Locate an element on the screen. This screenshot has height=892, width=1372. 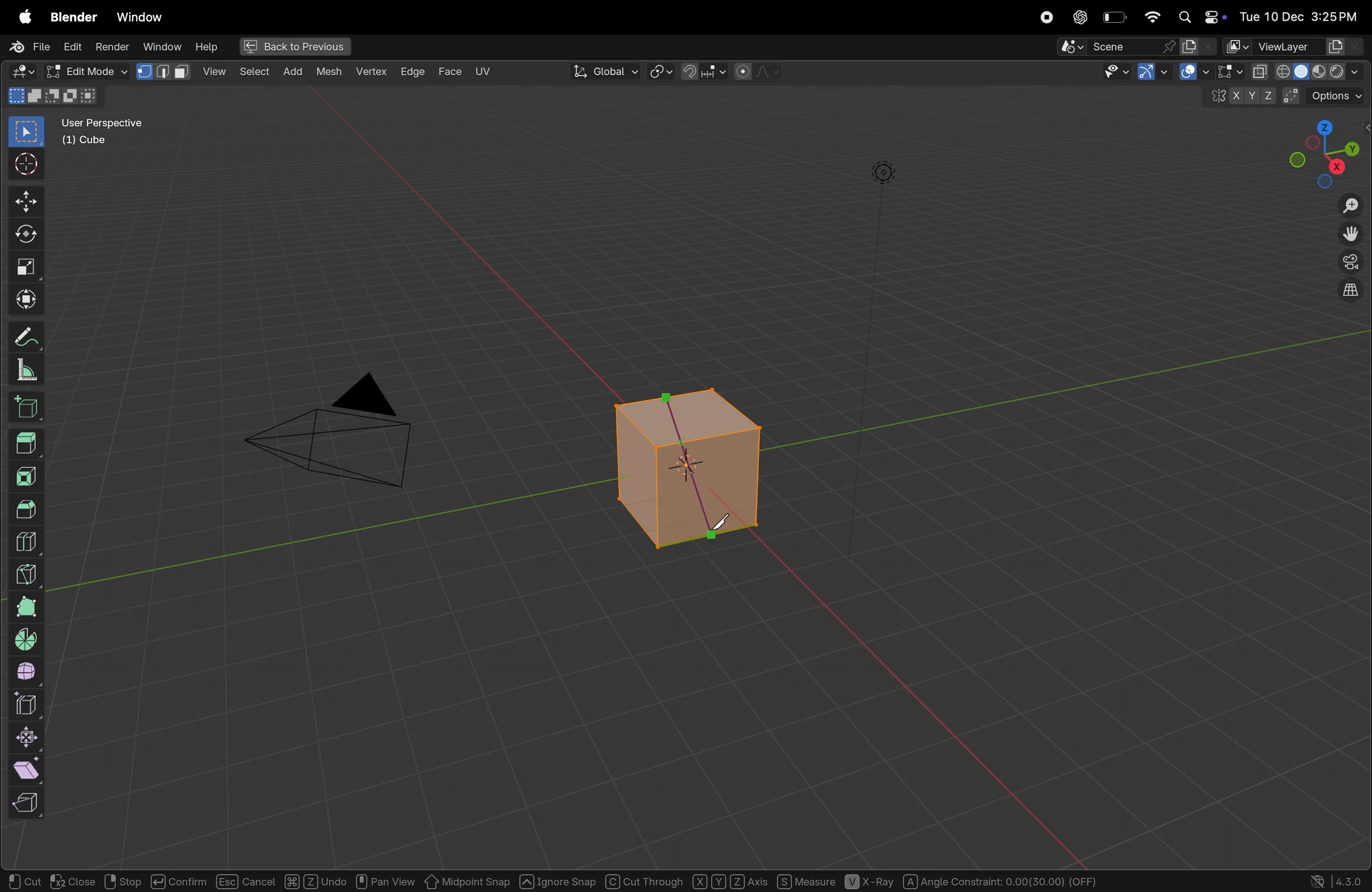
x Edge is located at coordinates (413, 70).